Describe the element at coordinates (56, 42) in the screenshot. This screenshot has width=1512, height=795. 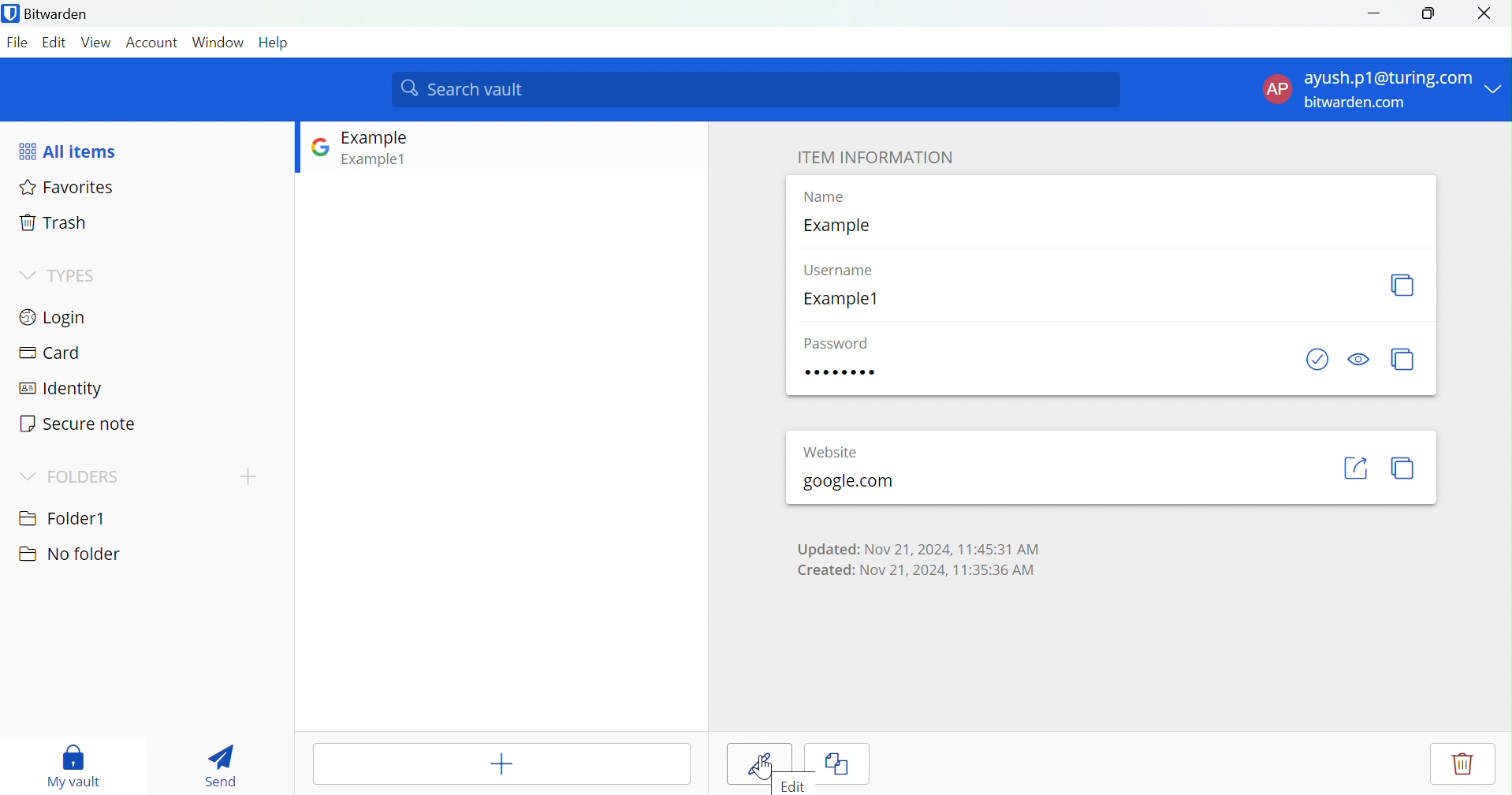
I see `Edit` at that location.